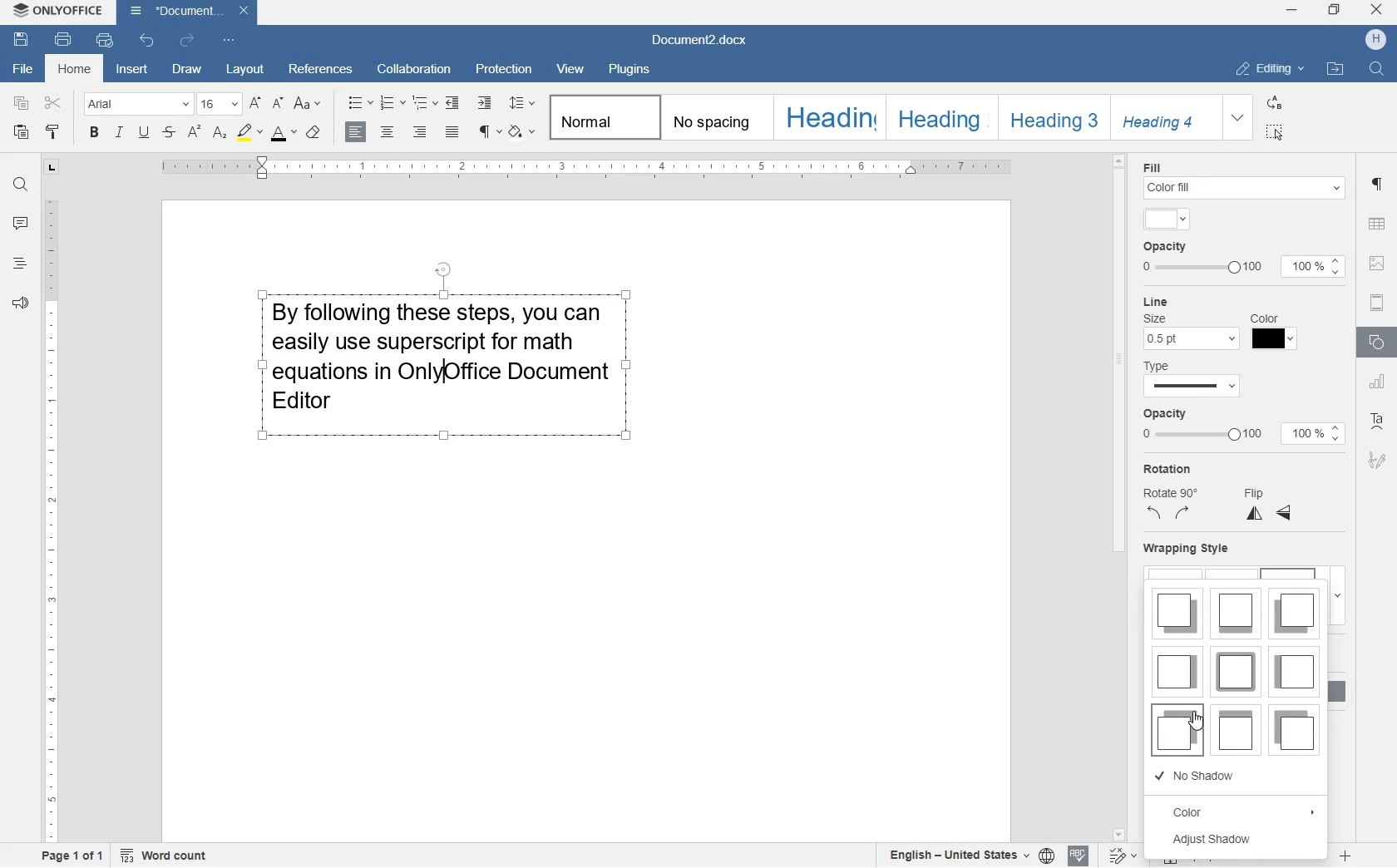 The height and width of the screenshot is (868, 1397). What do you see at coordinates (1311, 435) in the screenshot?
I see `100%` at bounding box center [1311, 435].